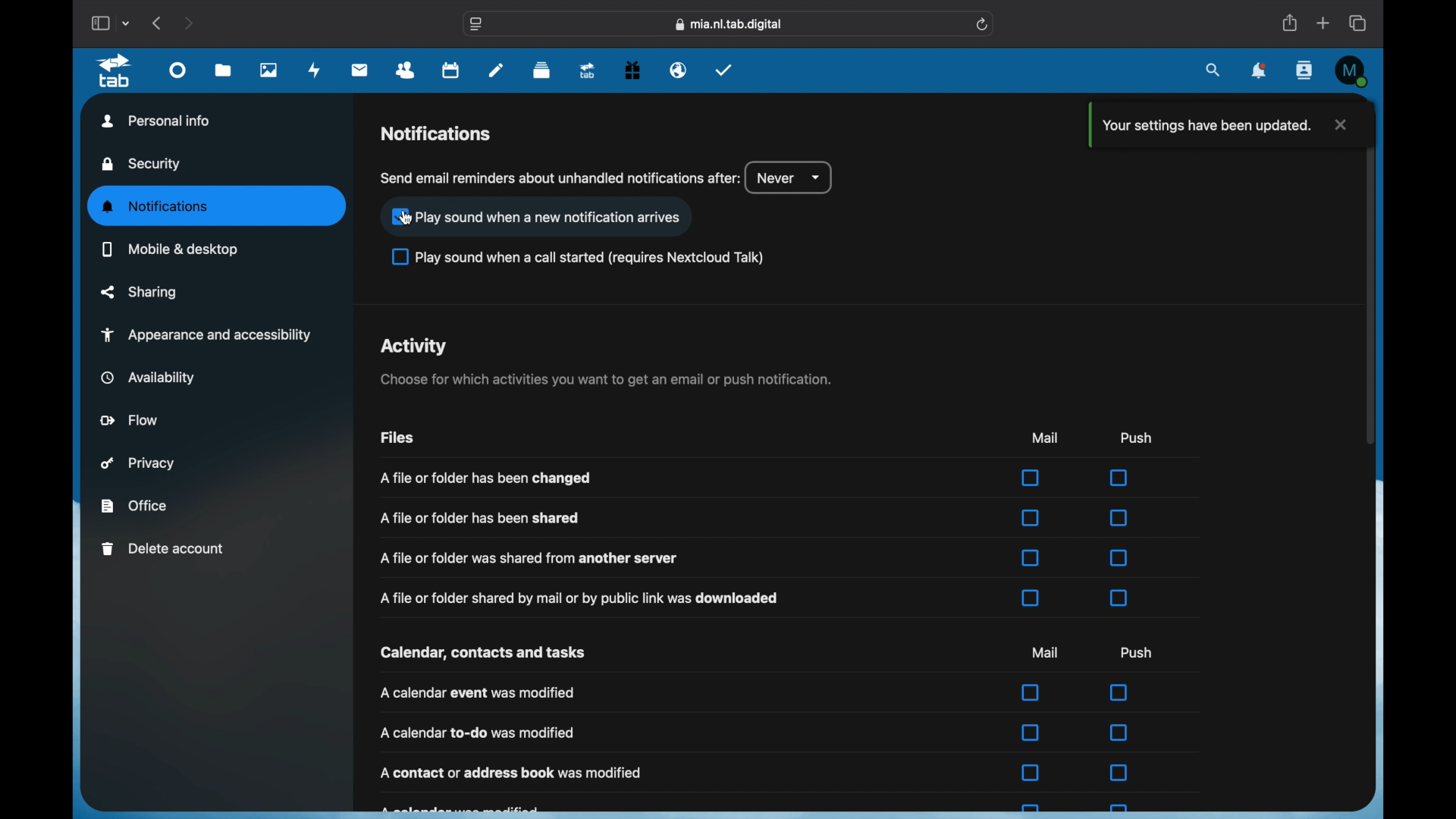 This screenshot has width=1456, height=819. What do you see at coordinates (479, 519) in the screenshot?
I see `info` at bounding box center [479, 519].